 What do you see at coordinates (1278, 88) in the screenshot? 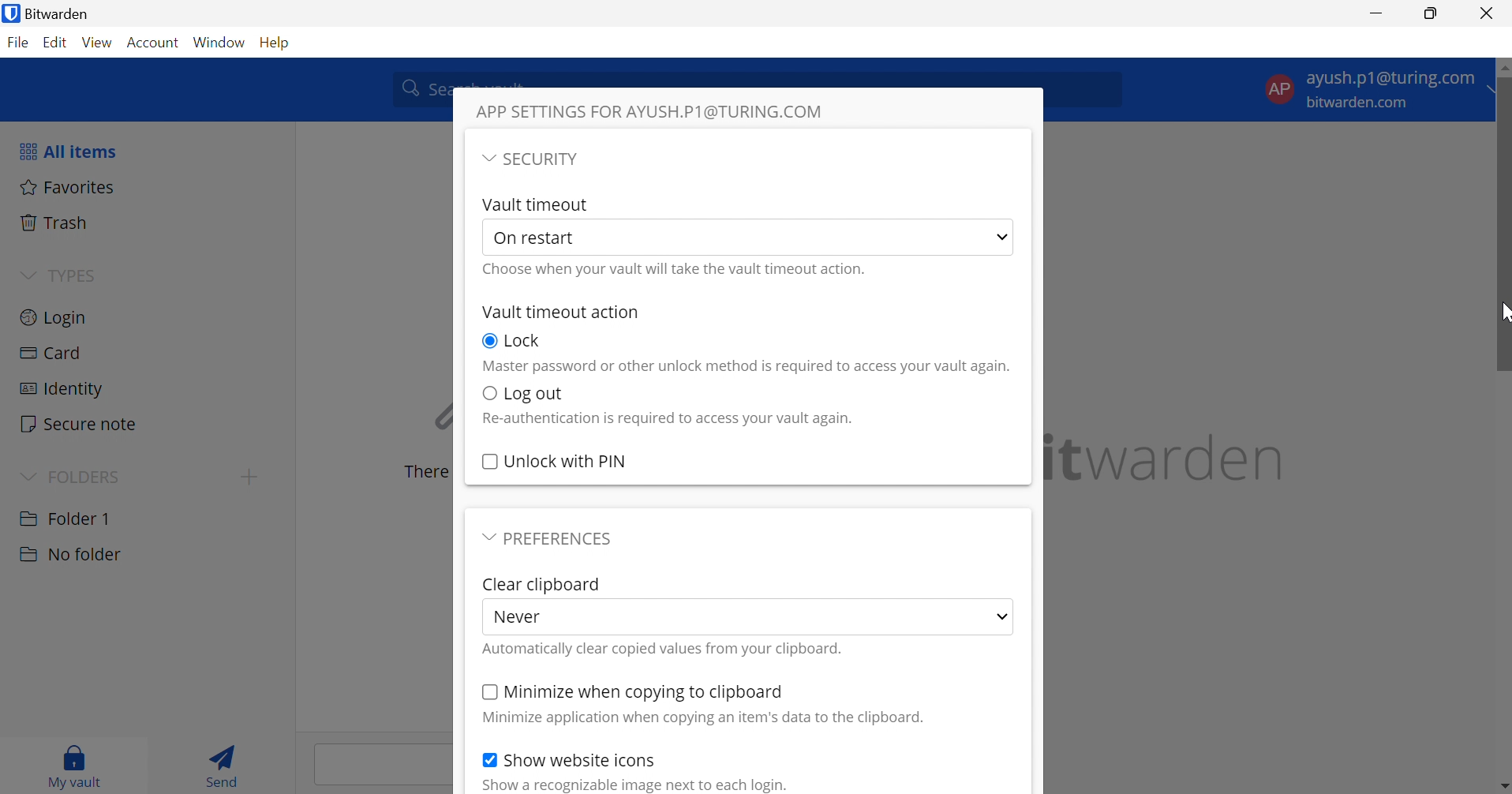
I see `AP` at bounding box center [1278, 88].